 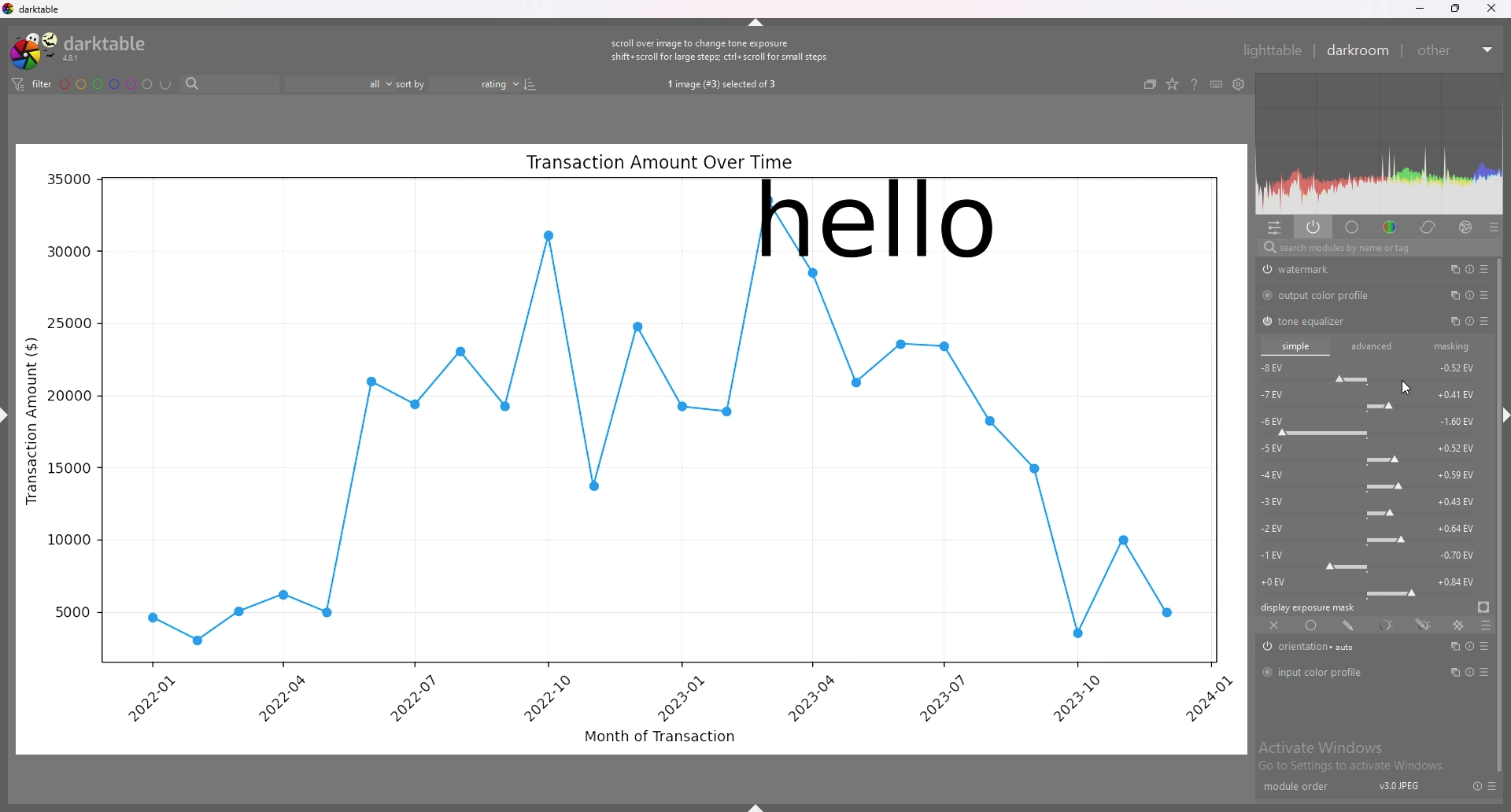 I want to click on minimize, so click(x=1420, y=9).